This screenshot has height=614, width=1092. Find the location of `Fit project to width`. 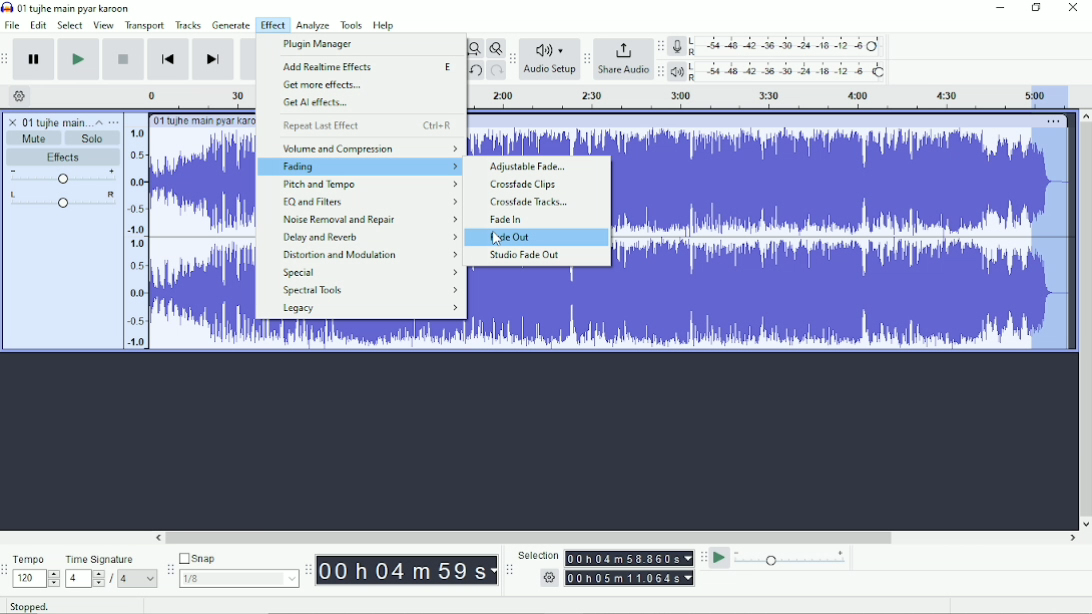

Fit project to width is located at coordinates (474, 48).